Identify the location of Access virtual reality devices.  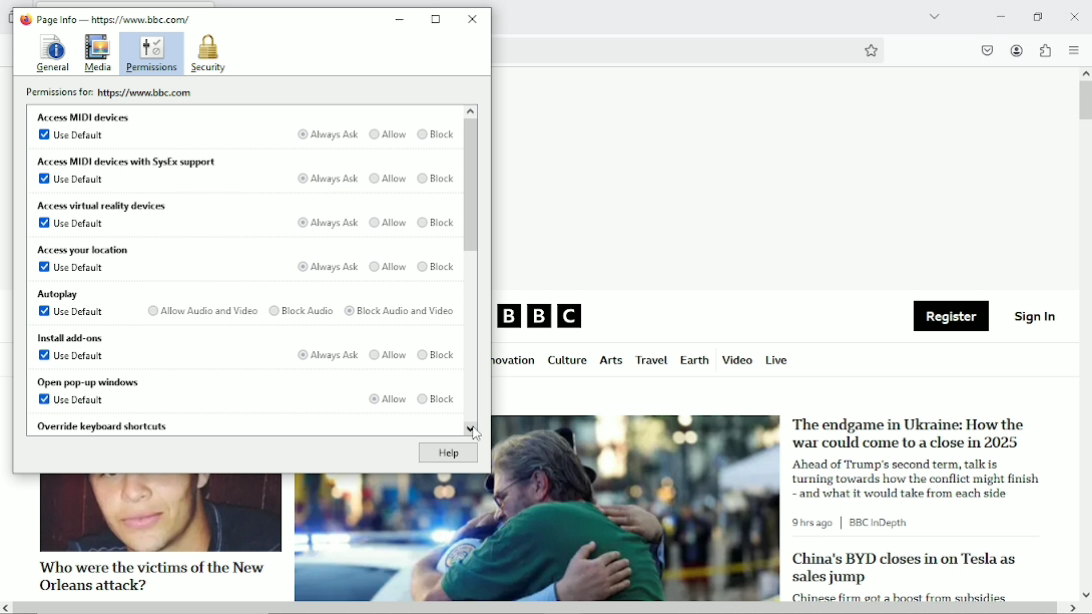
(105, 205).